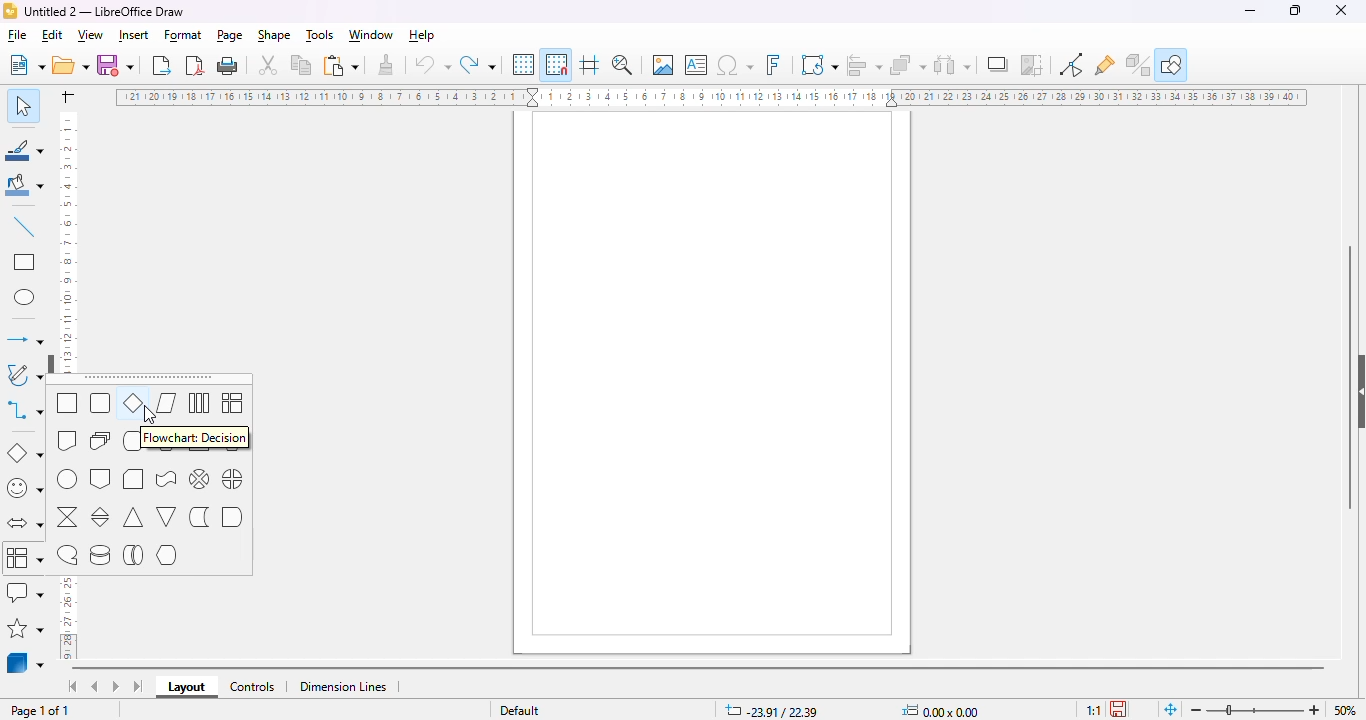 The image size is (1366, 720). I want to click on scroll to next sheet, so click(116, 687).